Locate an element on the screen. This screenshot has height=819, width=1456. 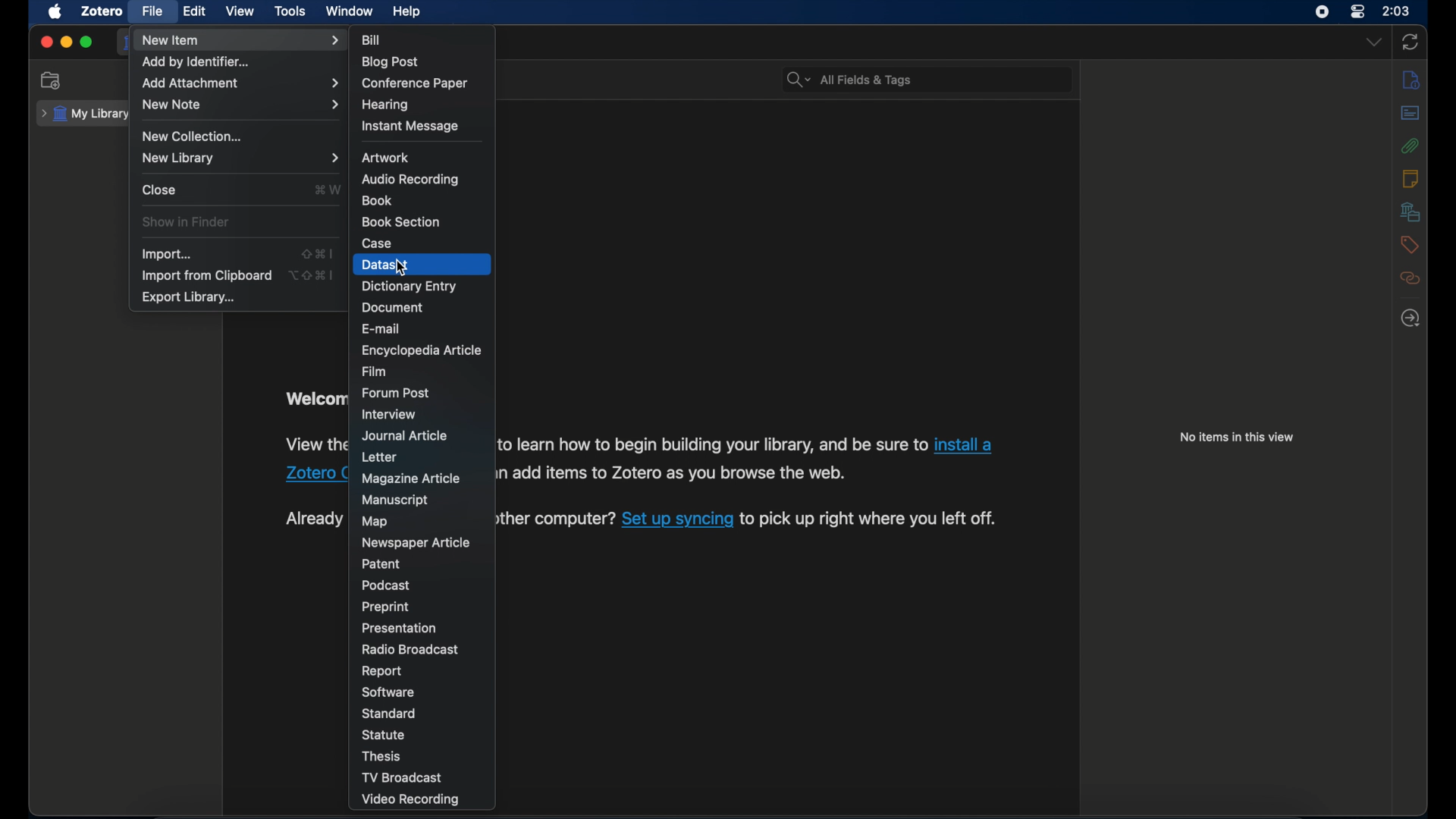
 is located at coordinates (709, 446).